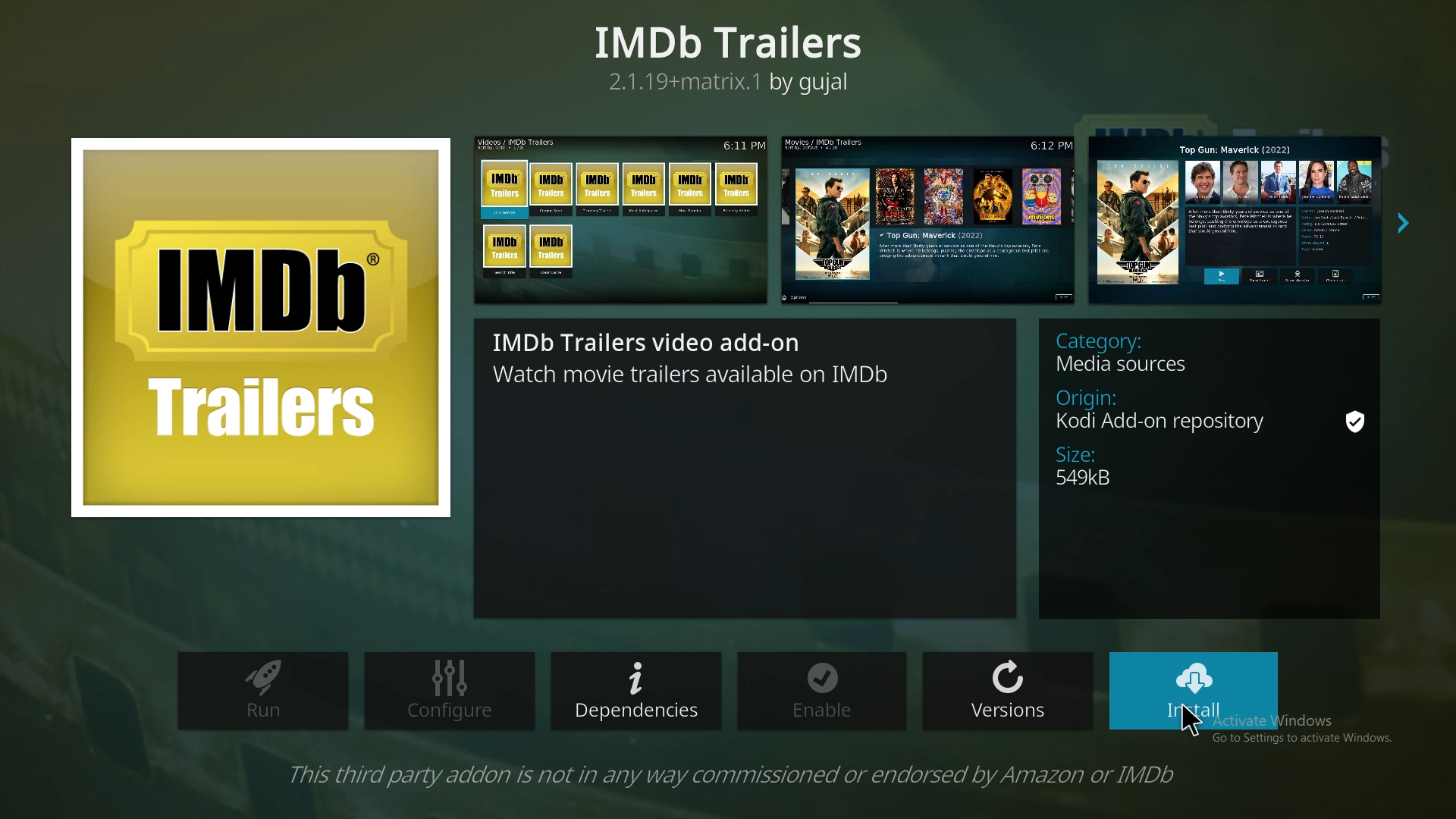 This screenshot has height=819, width=1456. What do you see at coordinates (1124, 467) in the screenshot?
I see `size` at bounding box center [1124, 467].